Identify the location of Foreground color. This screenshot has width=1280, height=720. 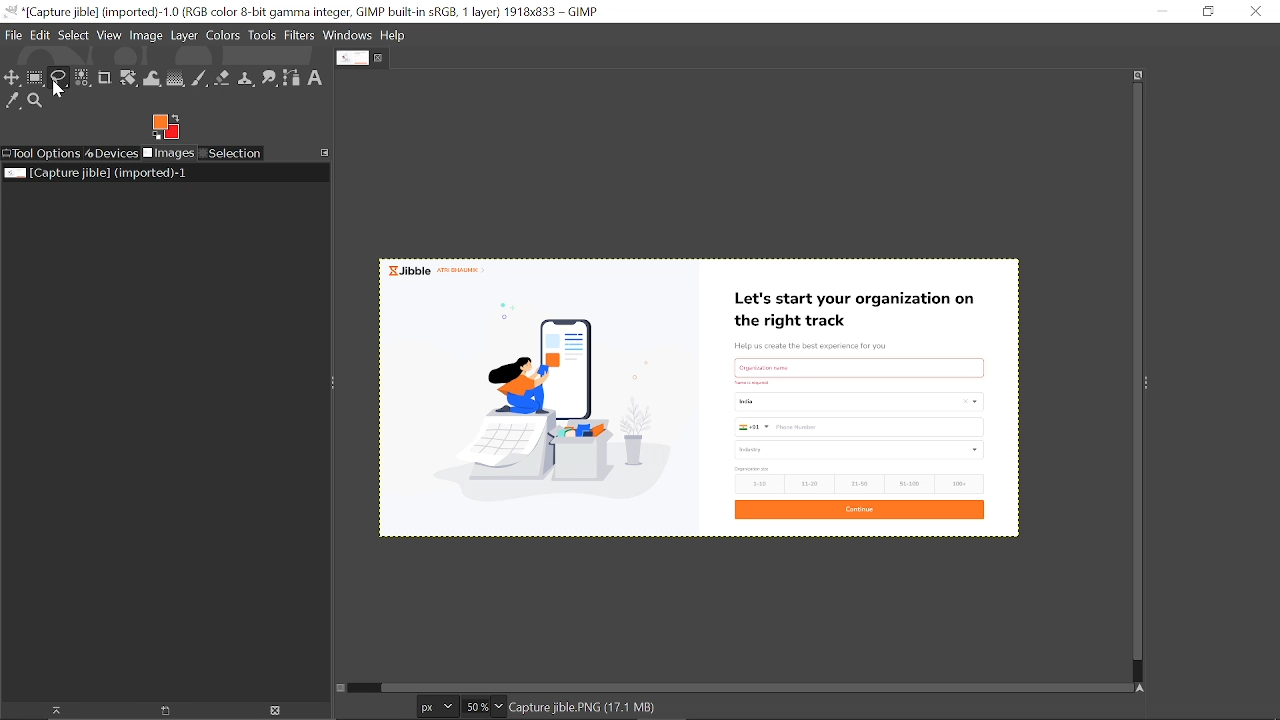
(166, 127).